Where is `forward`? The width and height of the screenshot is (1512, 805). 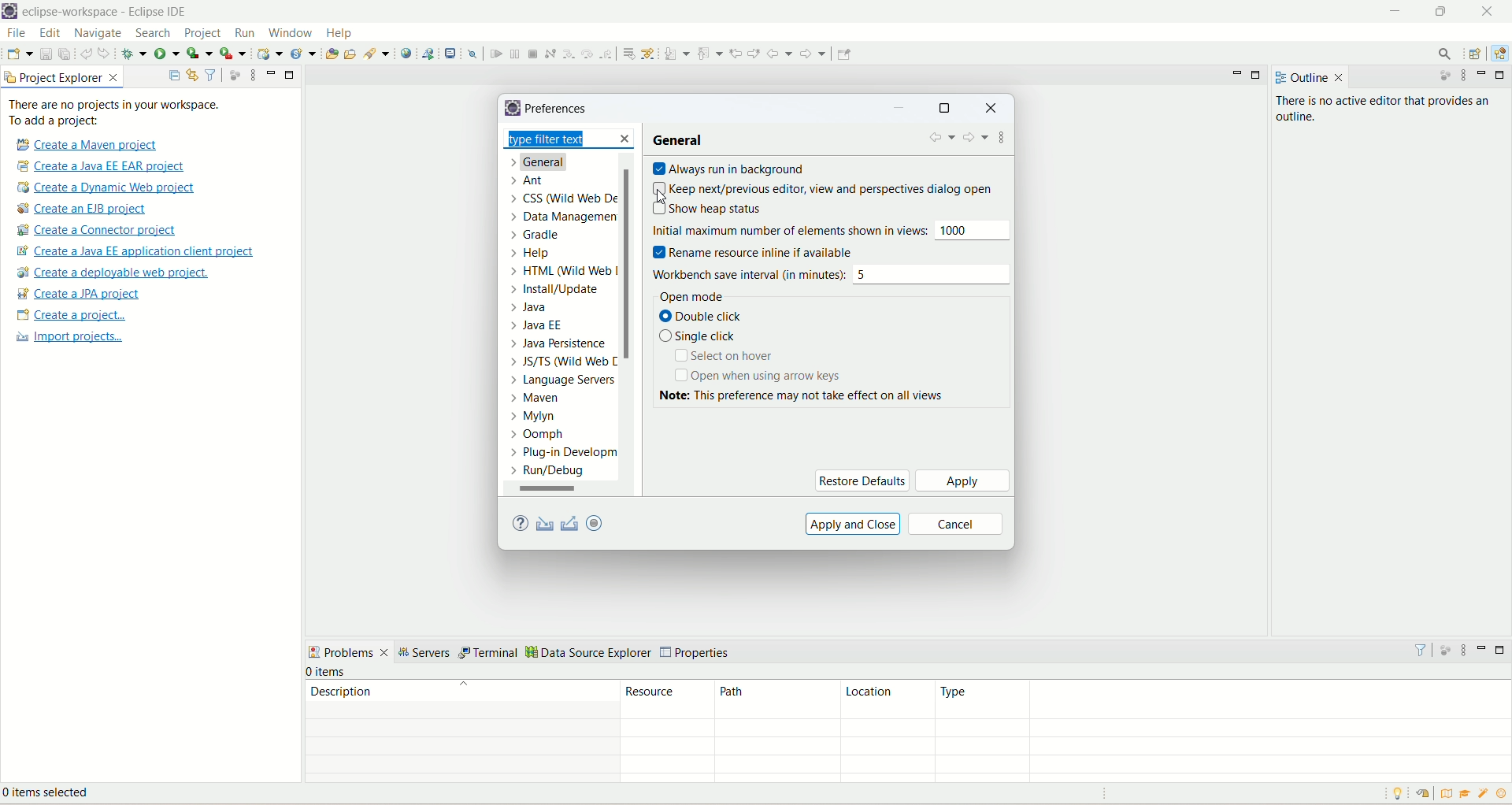
forward is located at coordinates (815, 54).